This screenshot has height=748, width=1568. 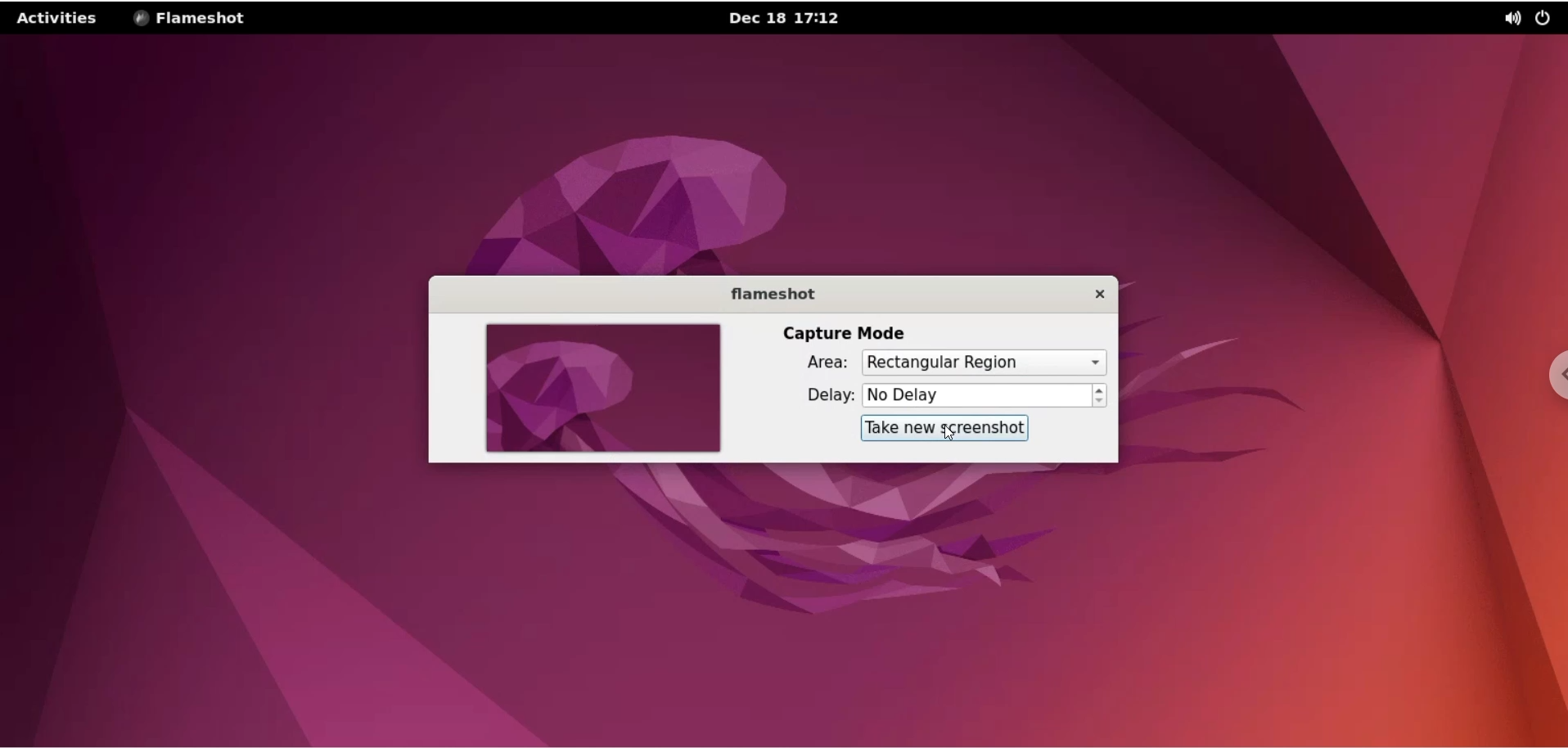 I want to click on capture model label, so click(x=842, y=333).